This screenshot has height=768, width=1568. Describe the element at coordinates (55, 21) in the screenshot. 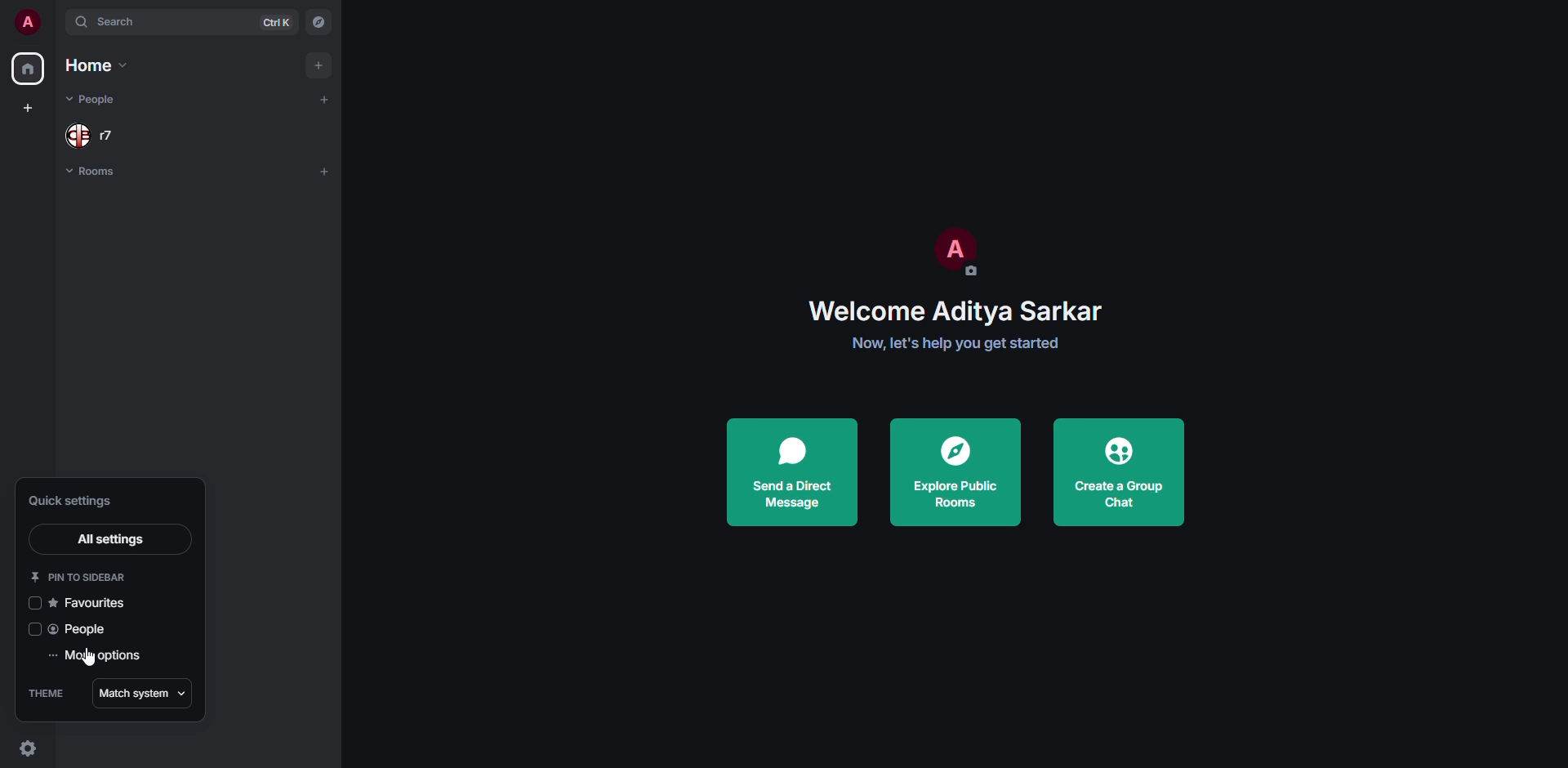

I see `expand` at that location.